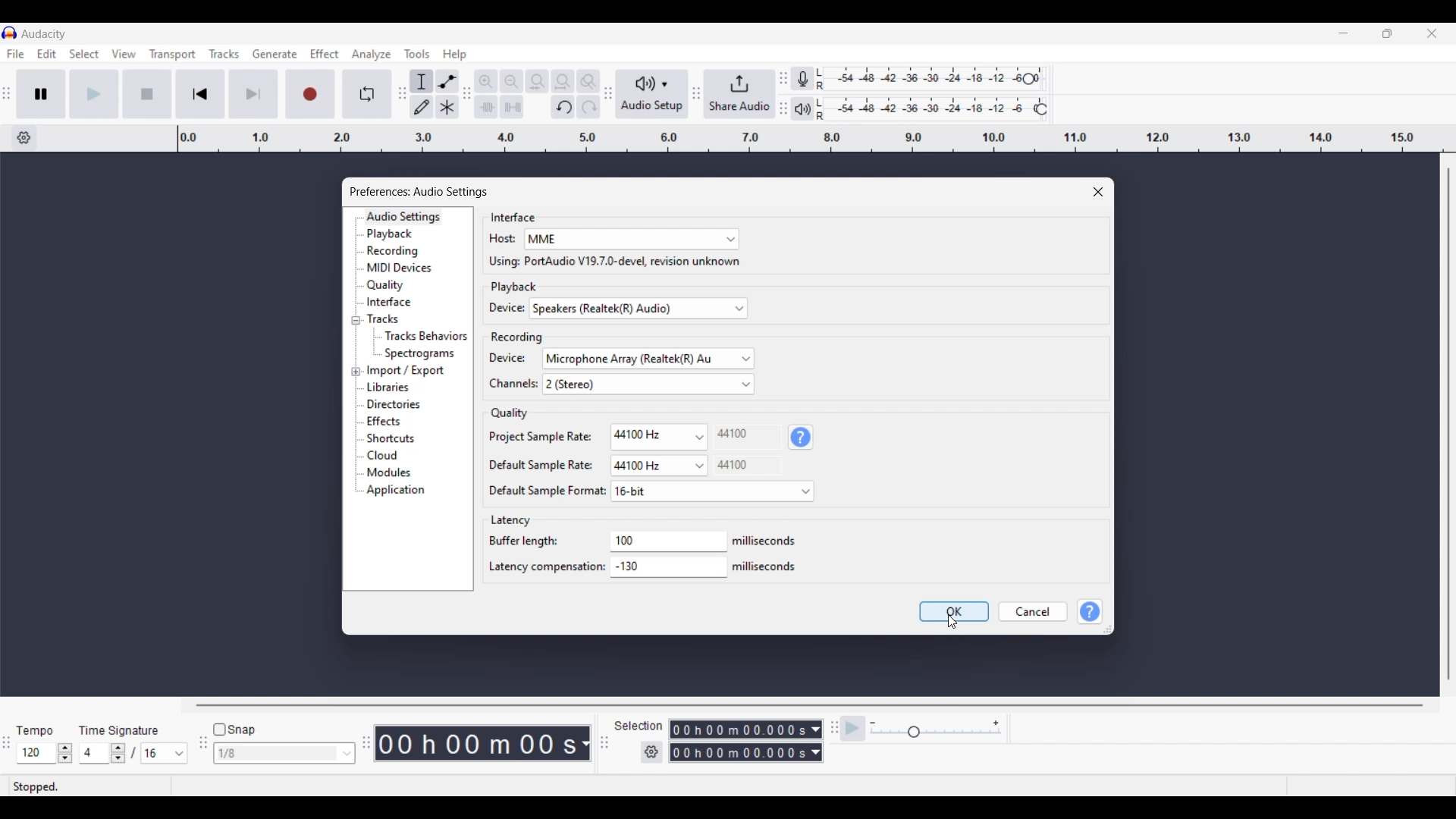 The width and height of the screenshot is (1456, 819). What do you see at coordinates (817, 139) in the screenshot?
I see `Scale to measure audio length` at bounding box center [817, 139].